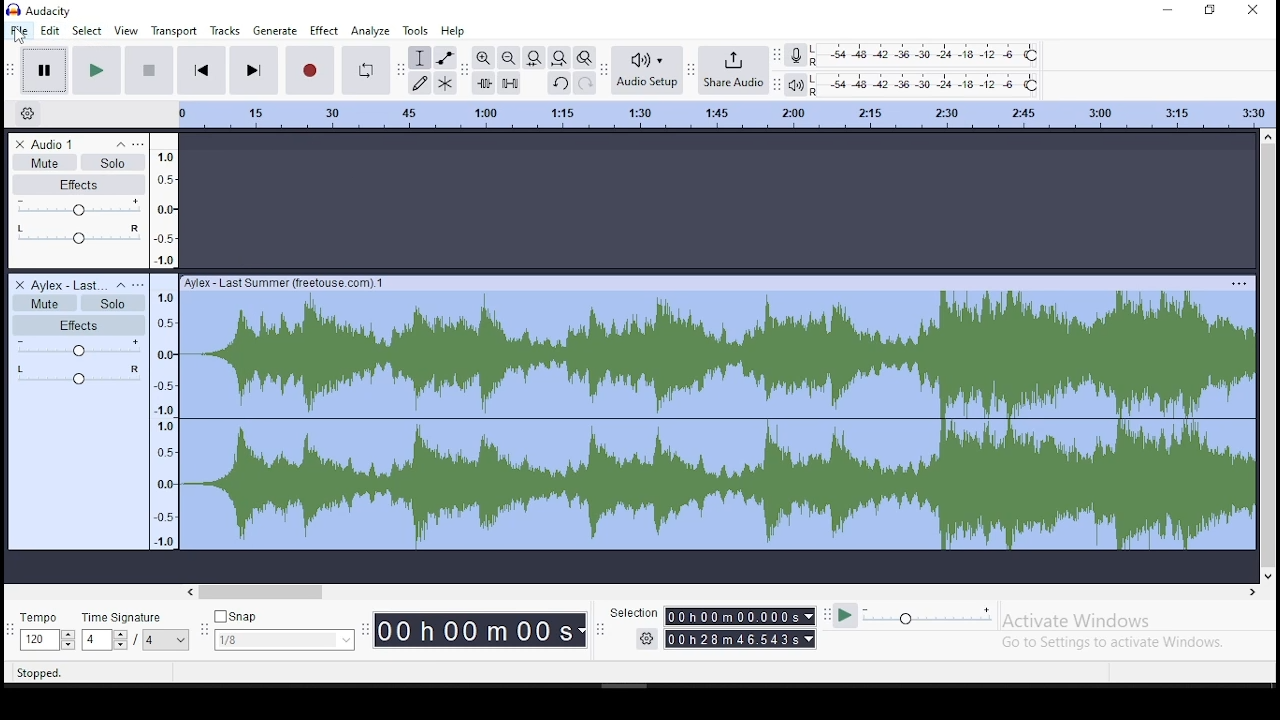 The width and height of the screenshot is (1280, 720). What do you see at coordinates (19, 143) in the screenshot?
I see `delete track` at bounding box center [19, 143].